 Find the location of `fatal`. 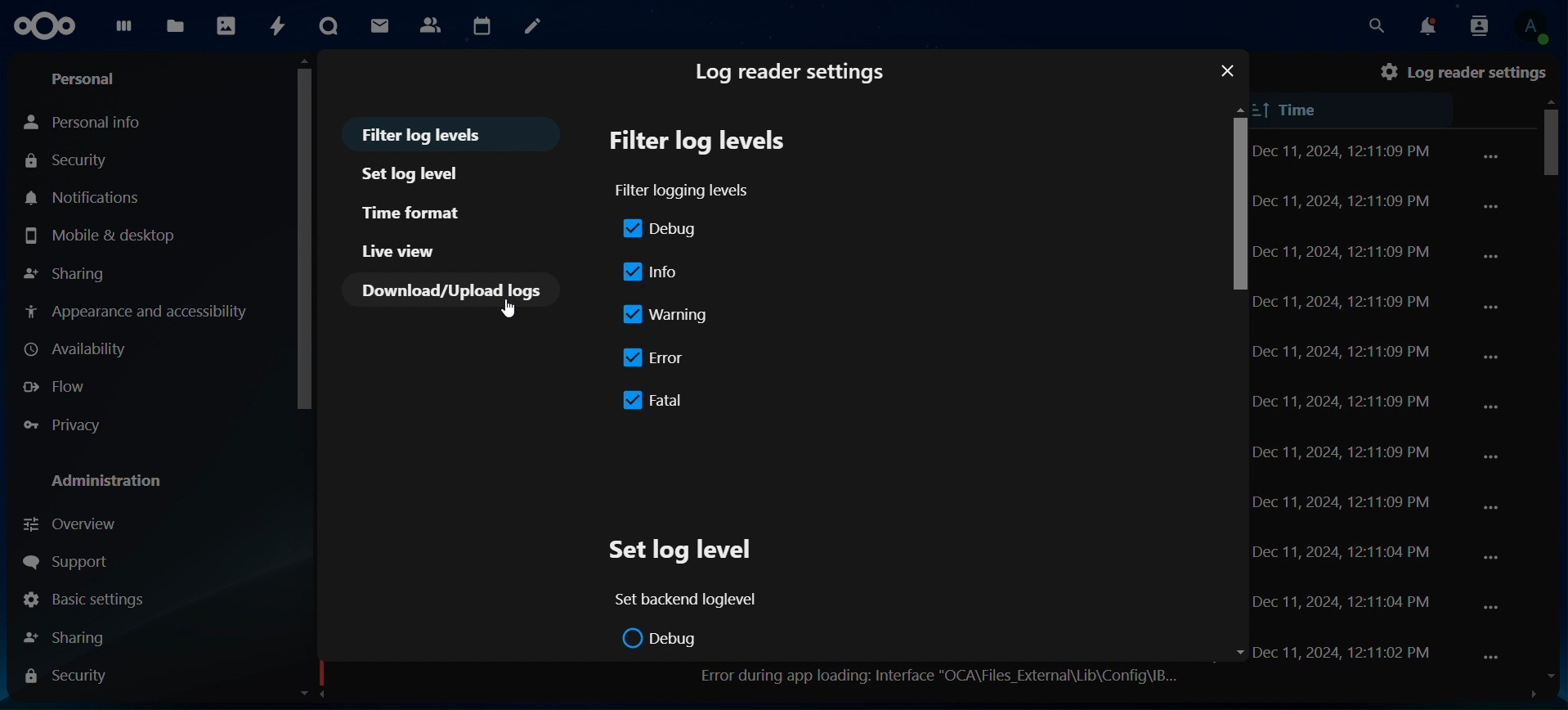

fatal is located at coordinates (652, 401).